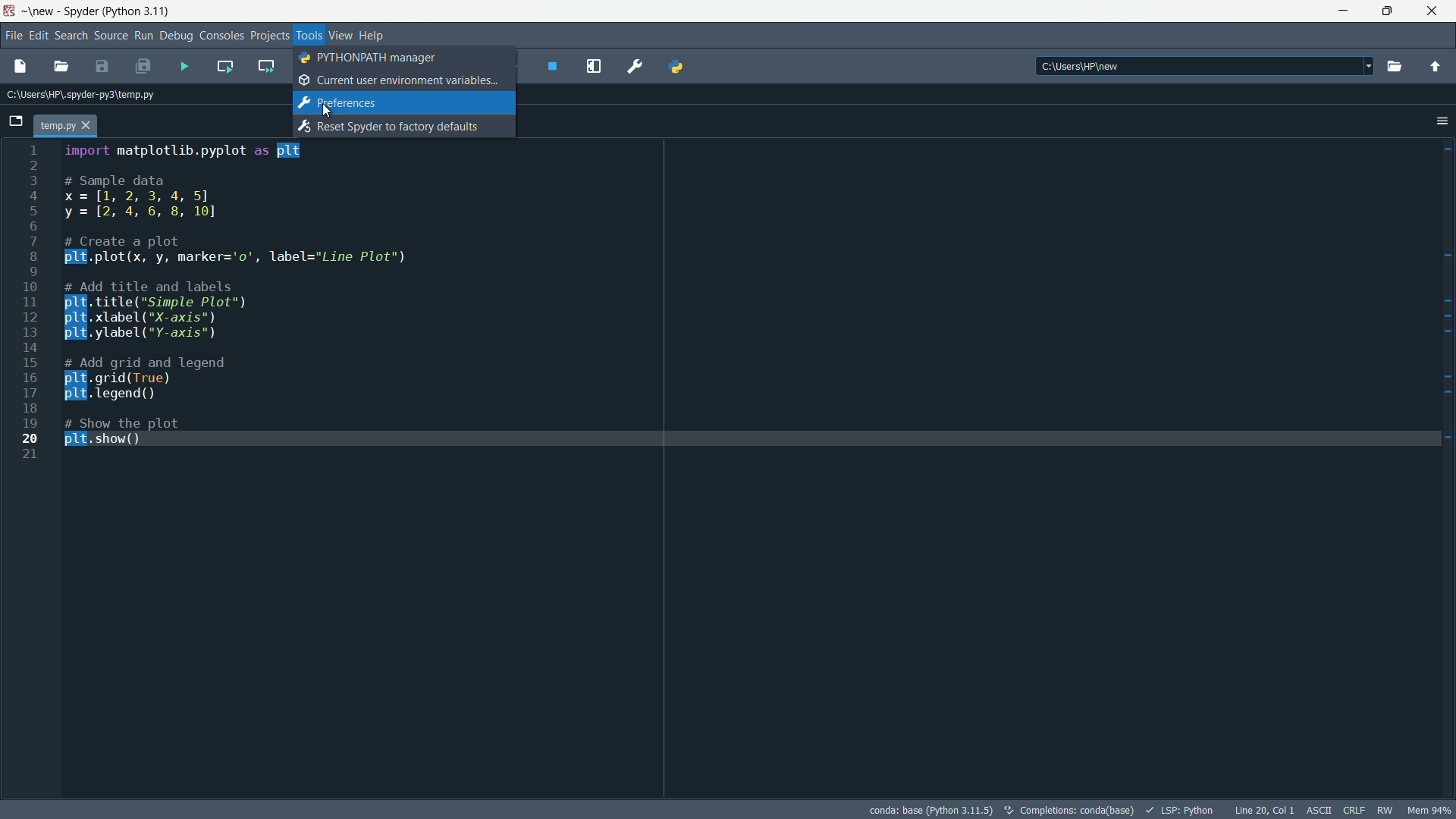 The height and width of the screenshot is (819, 1456). What do you see at coordinates (931, 811) in the screenshot?
I see `interpreter` at bounding box center [931, 811].